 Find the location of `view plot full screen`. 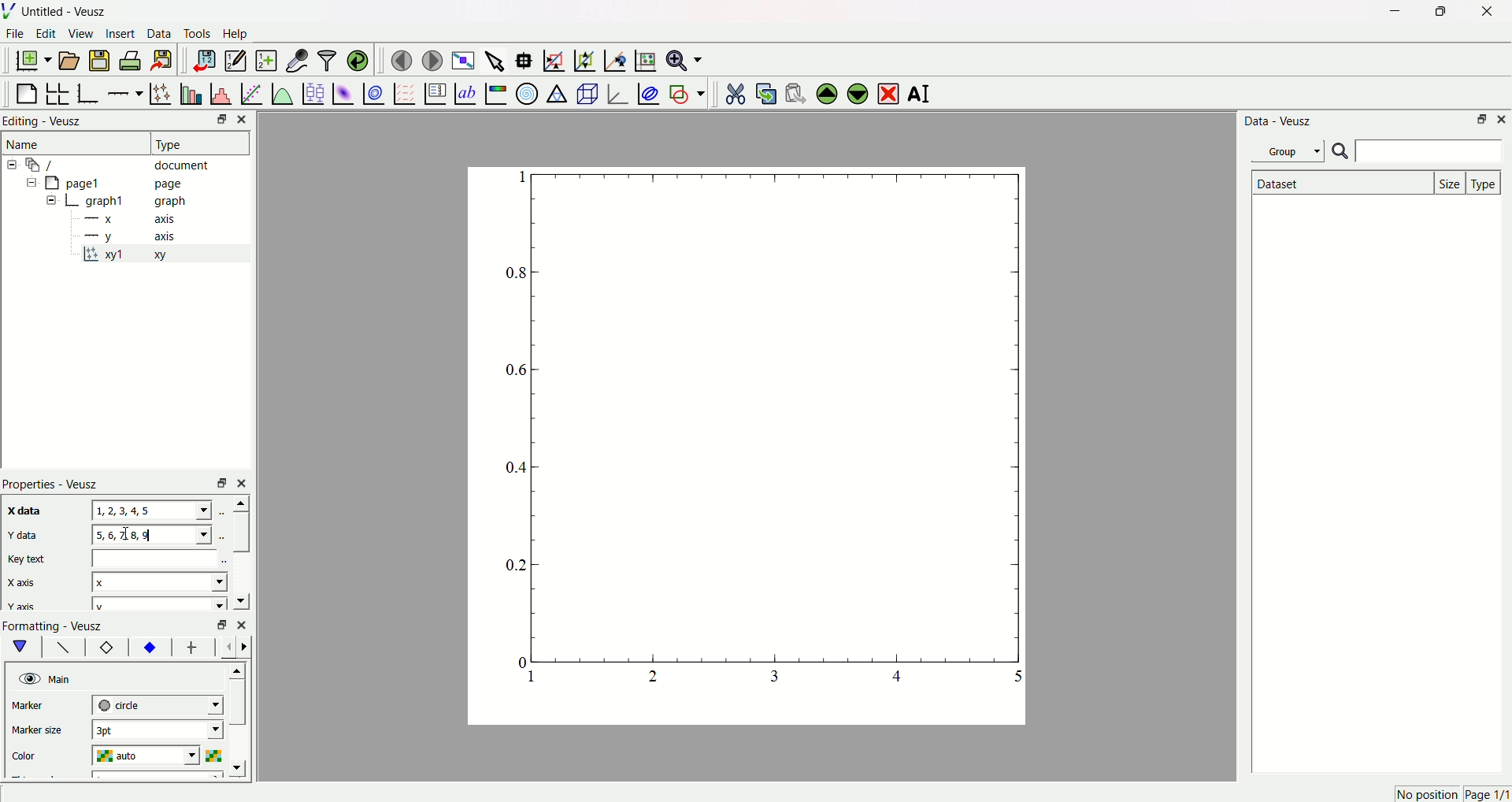

view plot full screen is located at coordinates (464, 58).